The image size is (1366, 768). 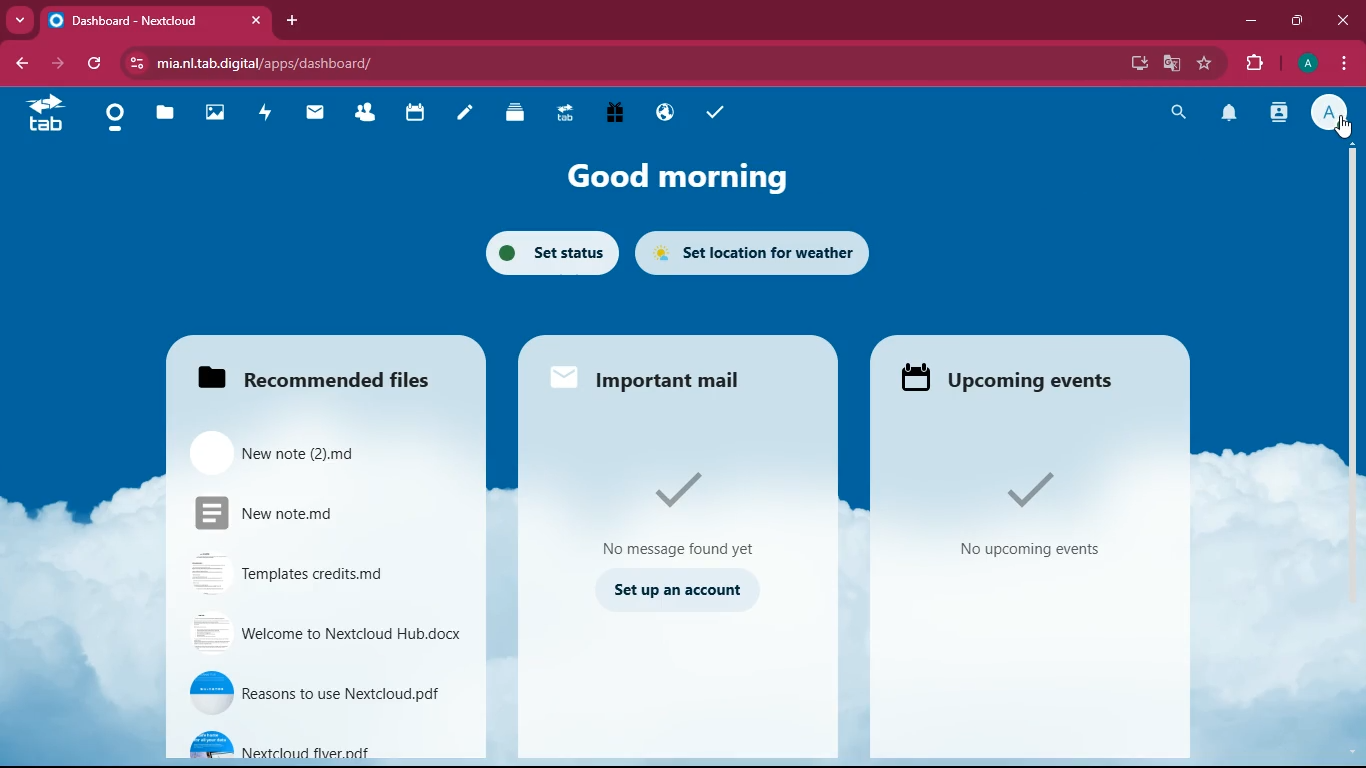 I want to click on favorite, so click(x=1206, y=63).